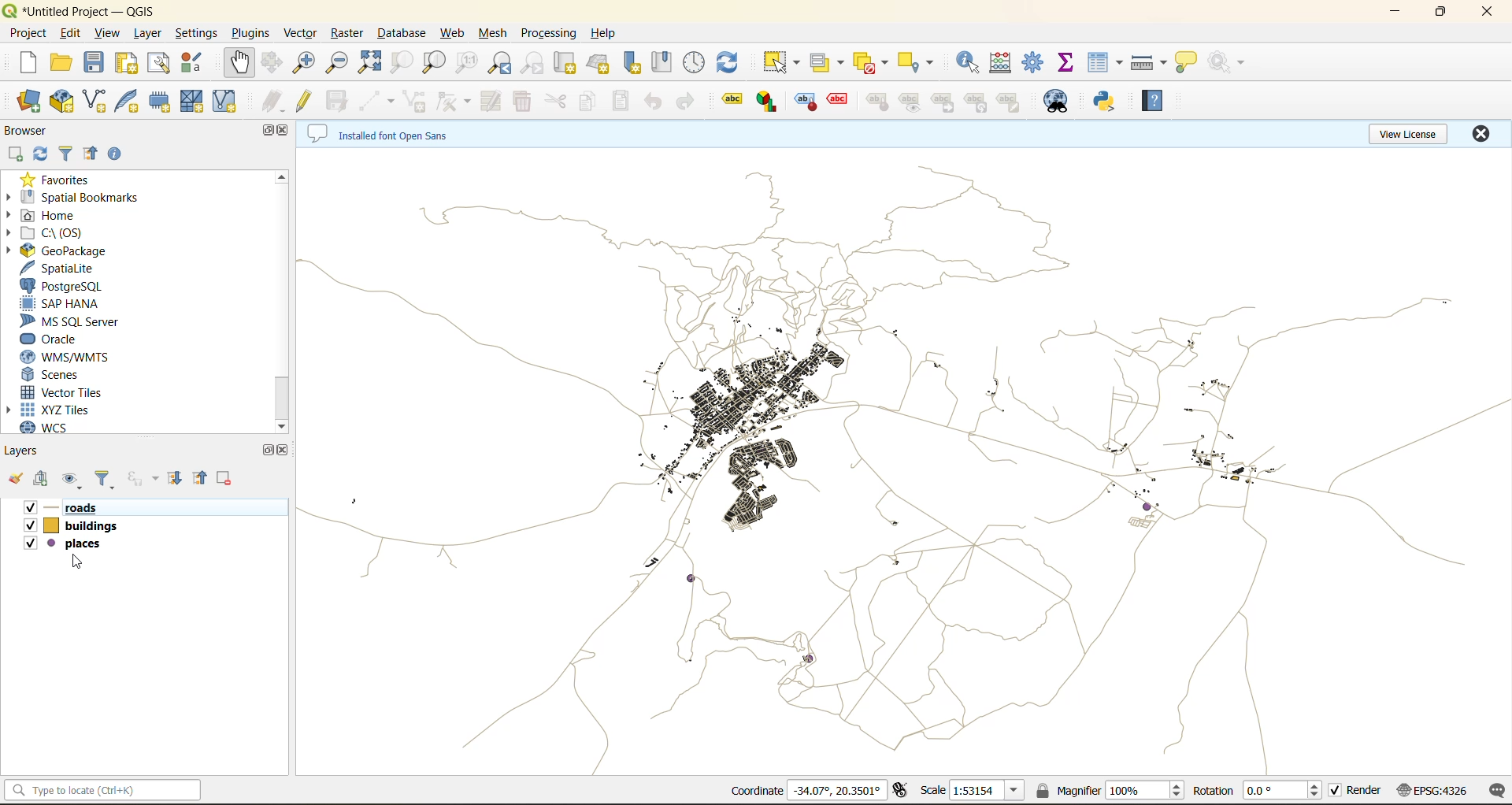 This screenshot has width=1512, height=805. What do you see at coordinates (333, 105) in the screenshot?
I see `save edits` at bounding box center [333, 105].